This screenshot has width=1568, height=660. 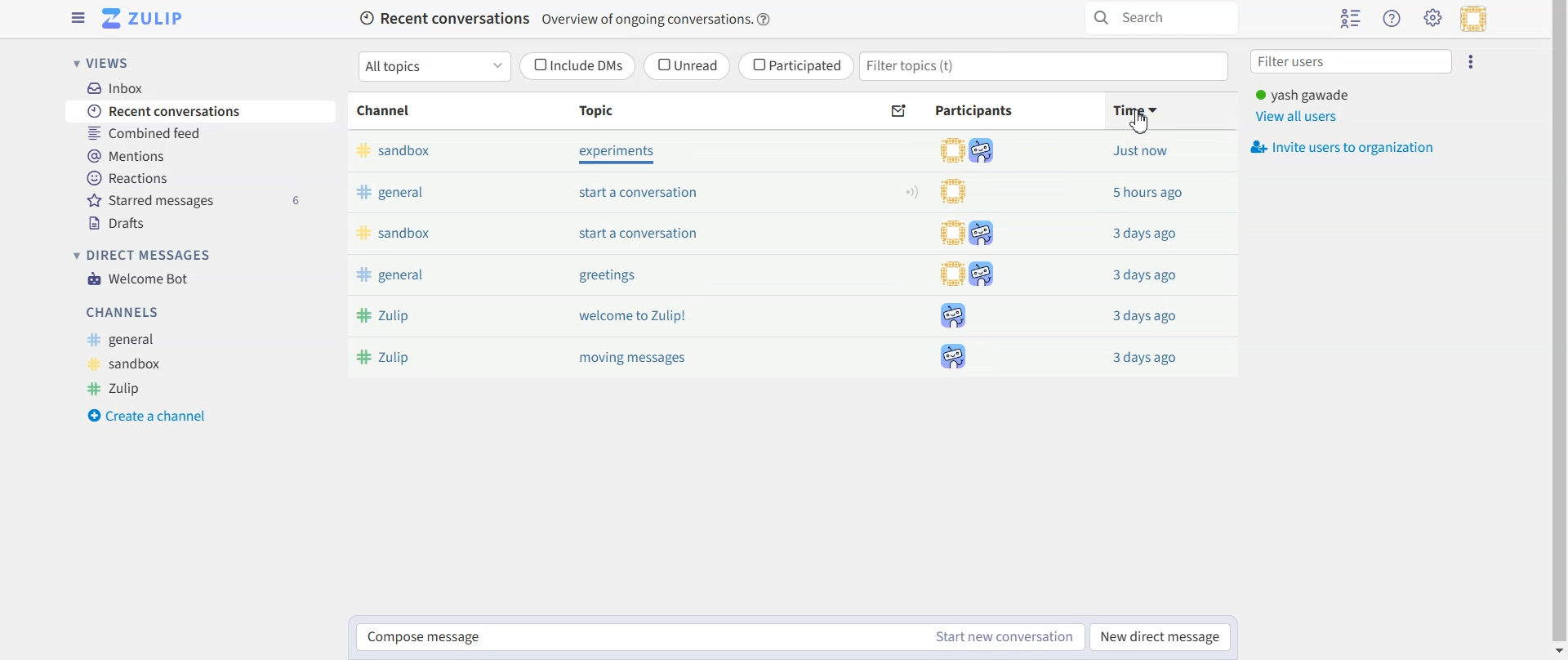 I want to click on Sort by unread messages, so click(x=899, y=112).